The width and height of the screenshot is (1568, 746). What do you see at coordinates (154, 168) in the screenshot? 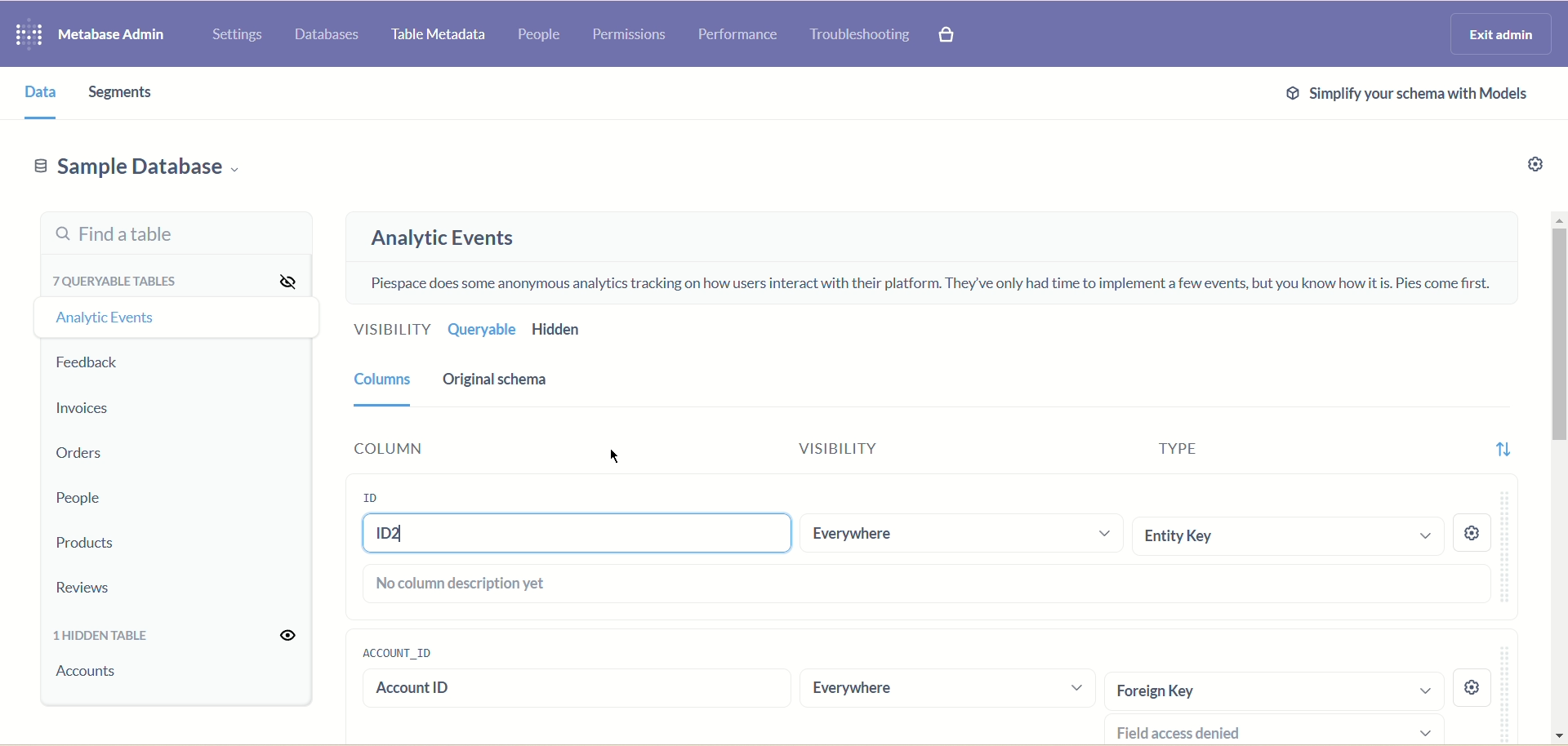
I see `Sample database` at bounding box center [154, 168].